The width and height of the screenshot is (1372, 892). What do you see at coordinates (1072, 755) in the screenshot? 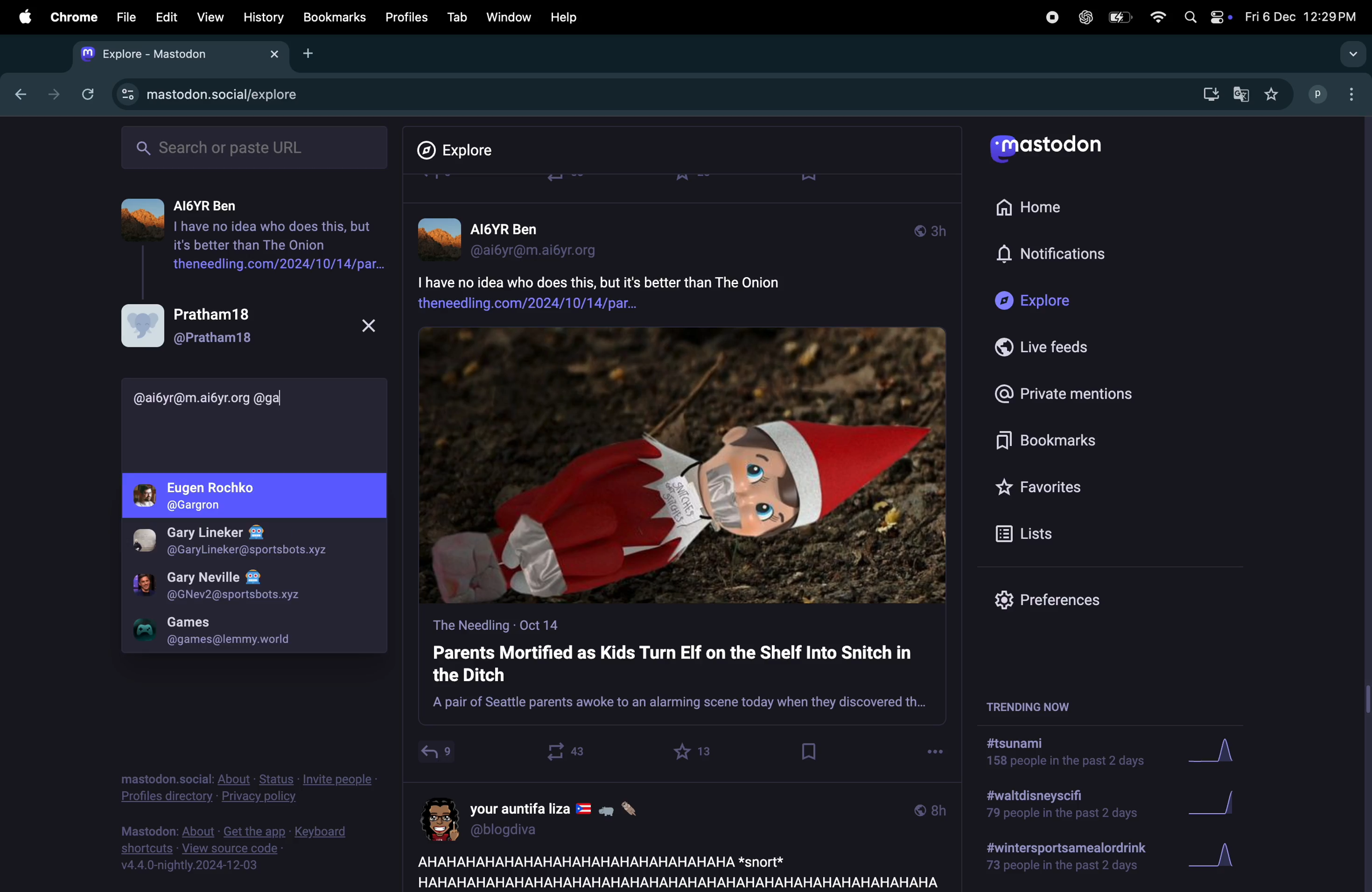
I see `#tsunami` at bounding box center [1072, 755].